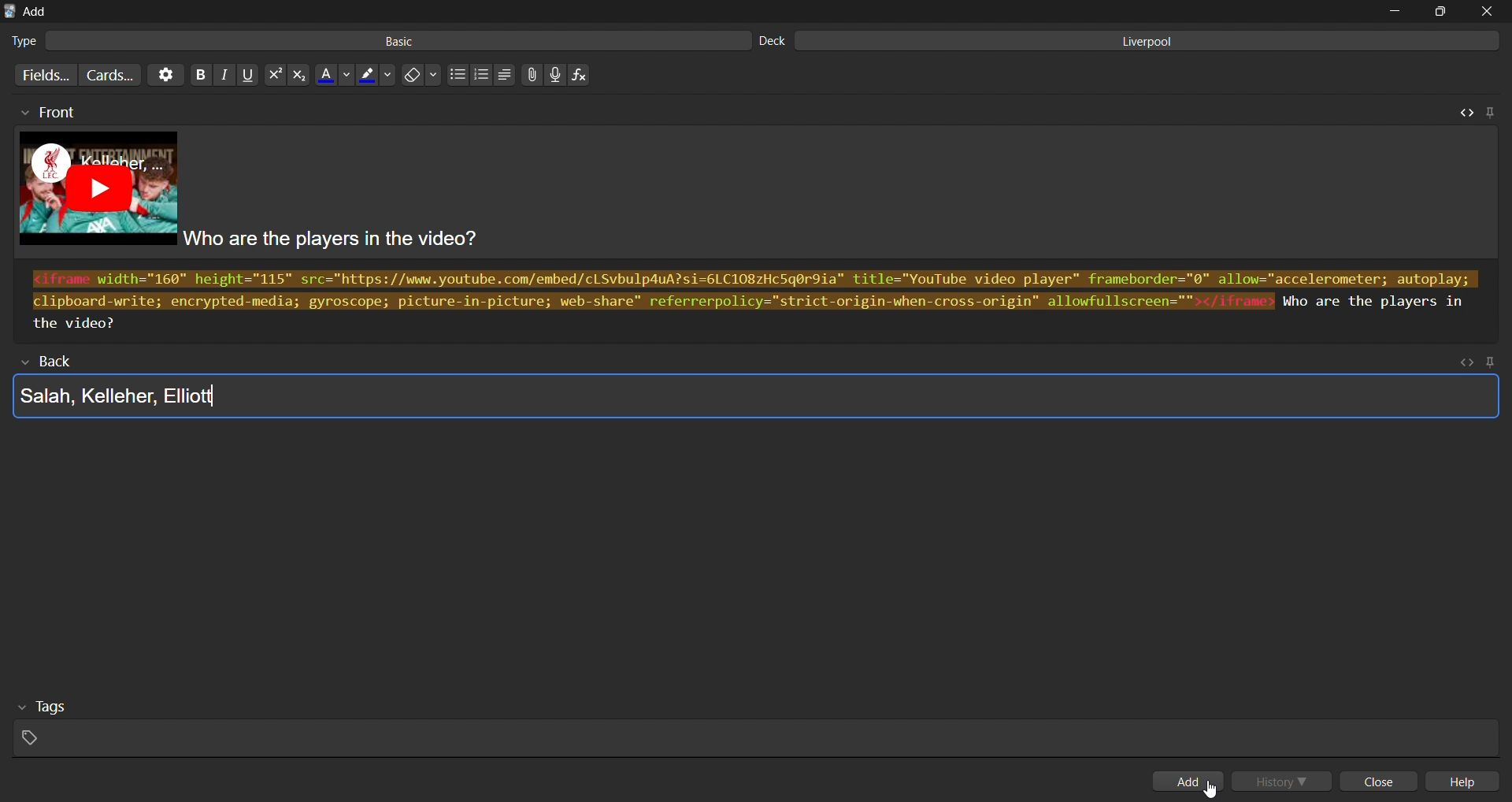  Describe the element at coordinates (583, 75) in the screenshot. I see `insert function` at that location.